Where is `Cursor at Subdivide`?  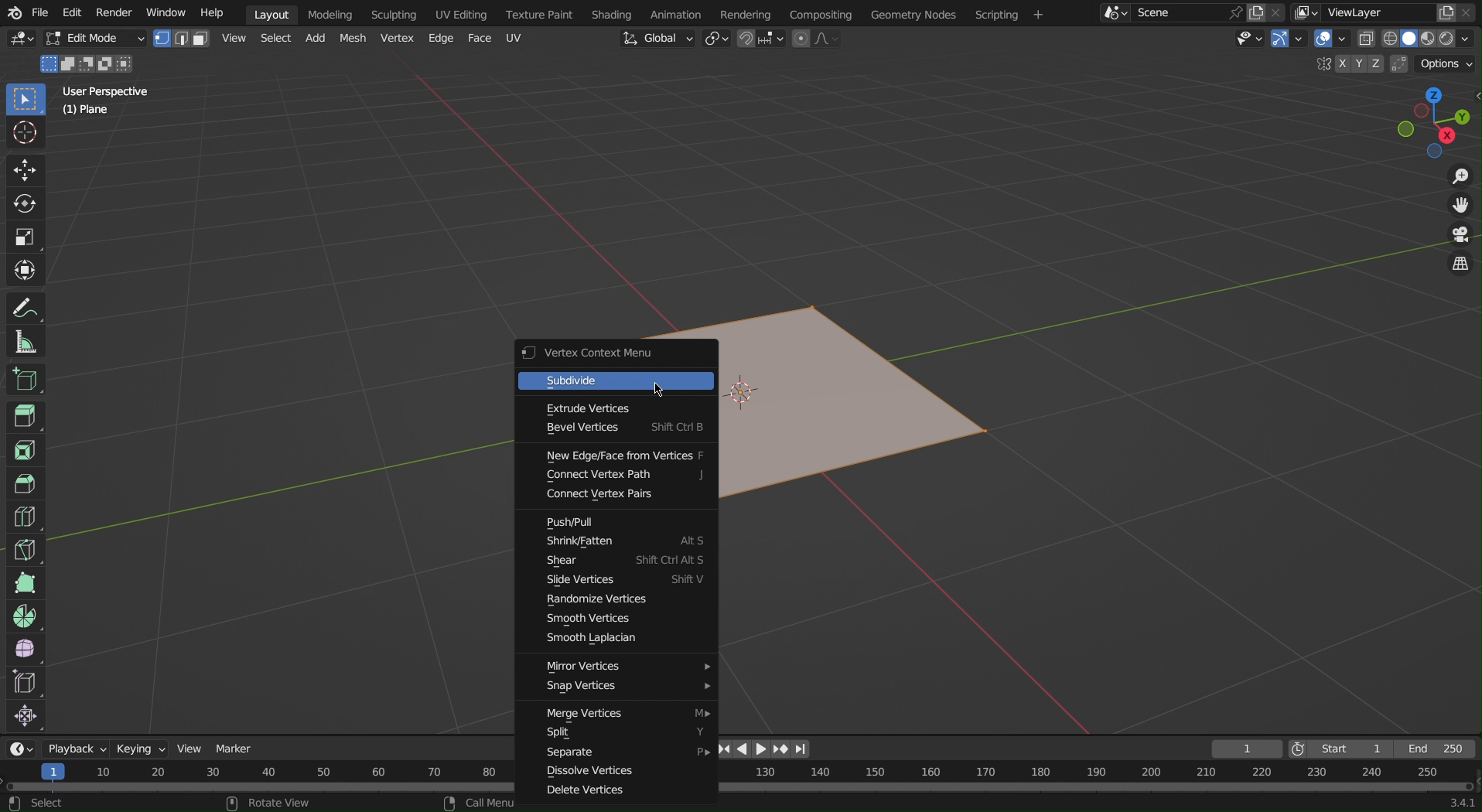
Cursor at Subdivide is located at coordinates (659, 389).